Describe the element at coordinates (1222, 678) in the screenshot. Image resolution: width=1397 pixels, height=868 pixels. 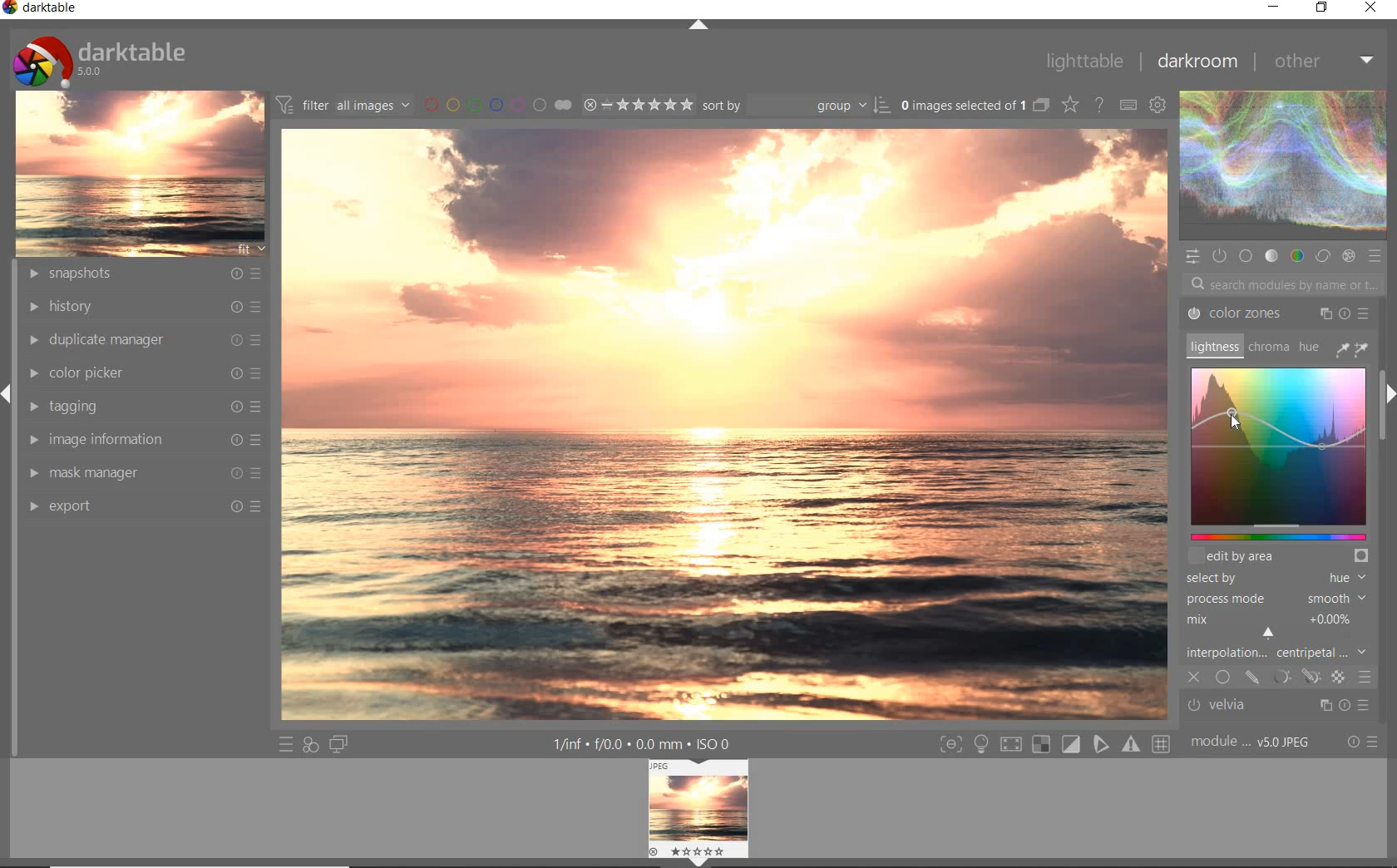
I see `UNIFORMLY` at that location.